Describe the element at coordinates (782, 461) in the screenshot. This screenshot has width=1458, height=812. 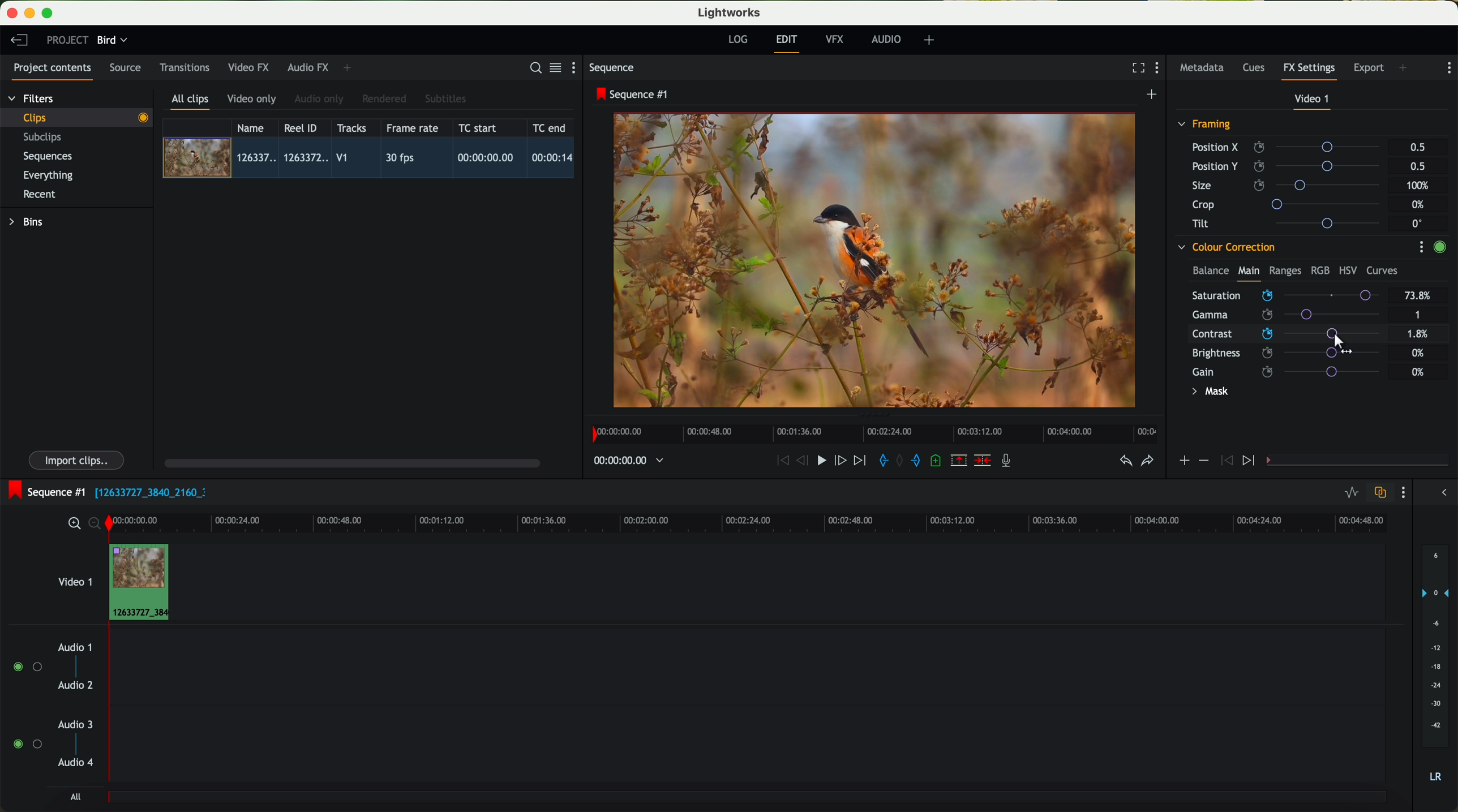
I see `rewind` at that location.